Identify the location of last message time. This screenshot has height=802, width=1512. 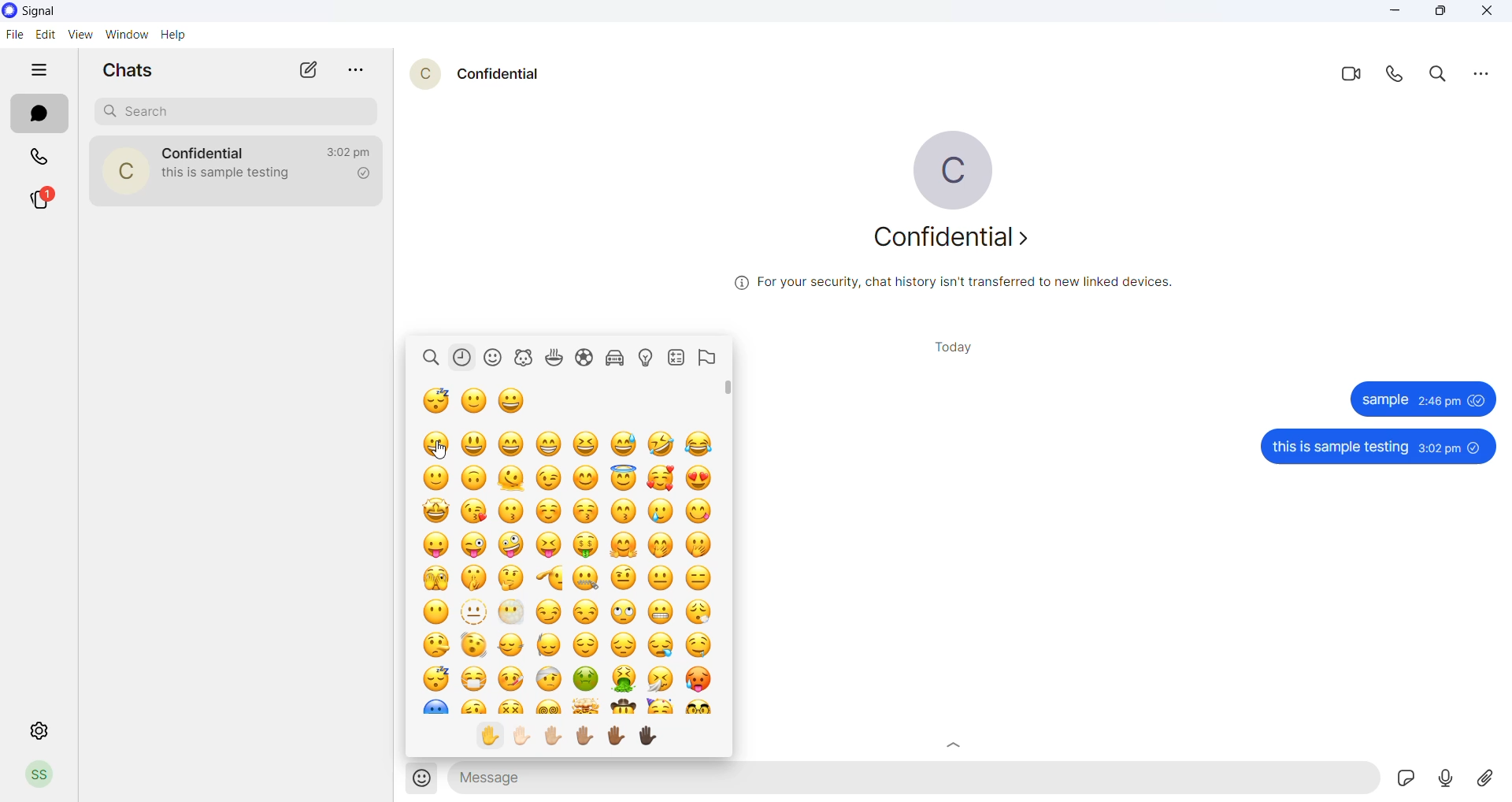
(350, 150).